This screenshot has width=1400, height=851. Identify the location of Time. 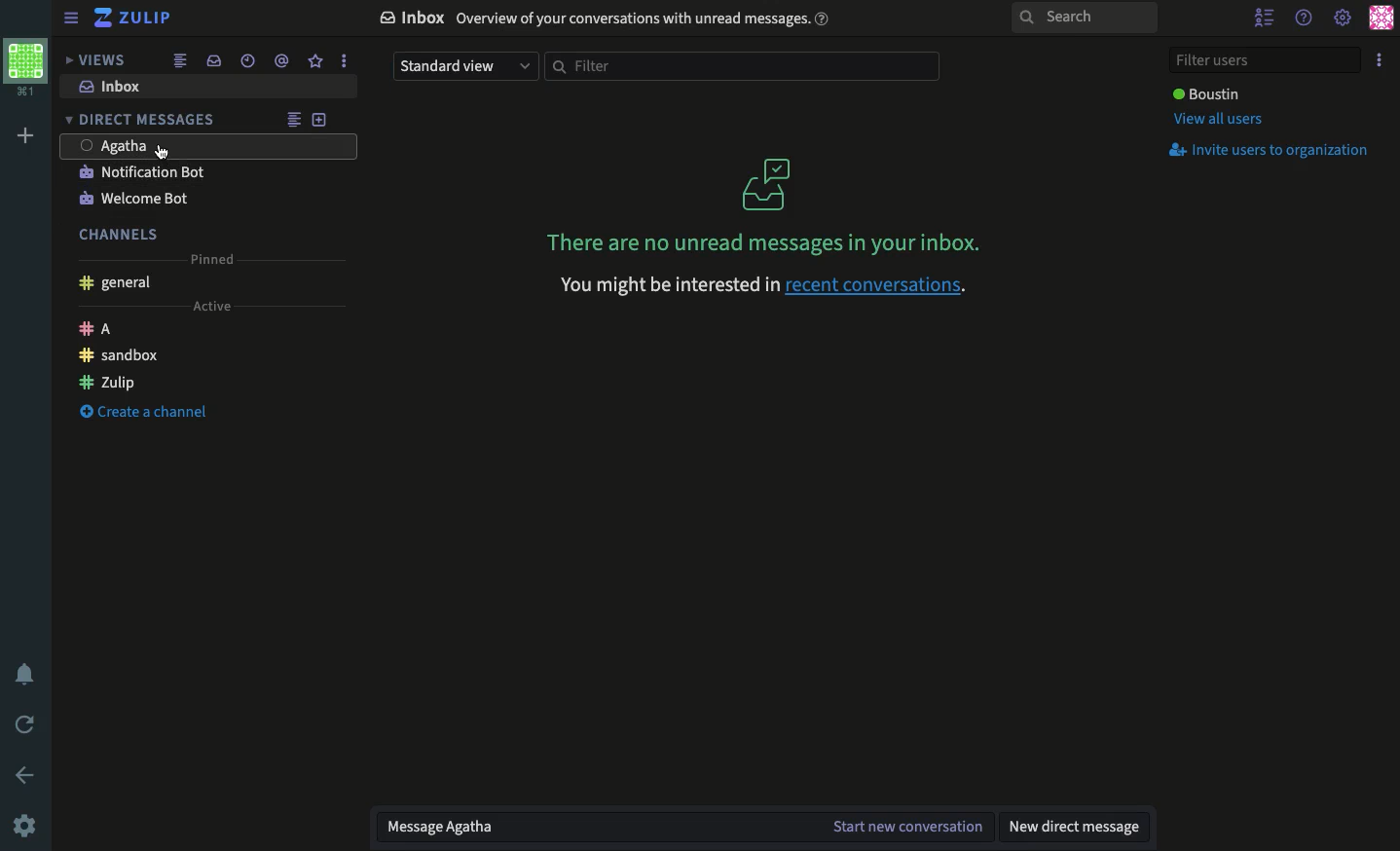
(245, 61).